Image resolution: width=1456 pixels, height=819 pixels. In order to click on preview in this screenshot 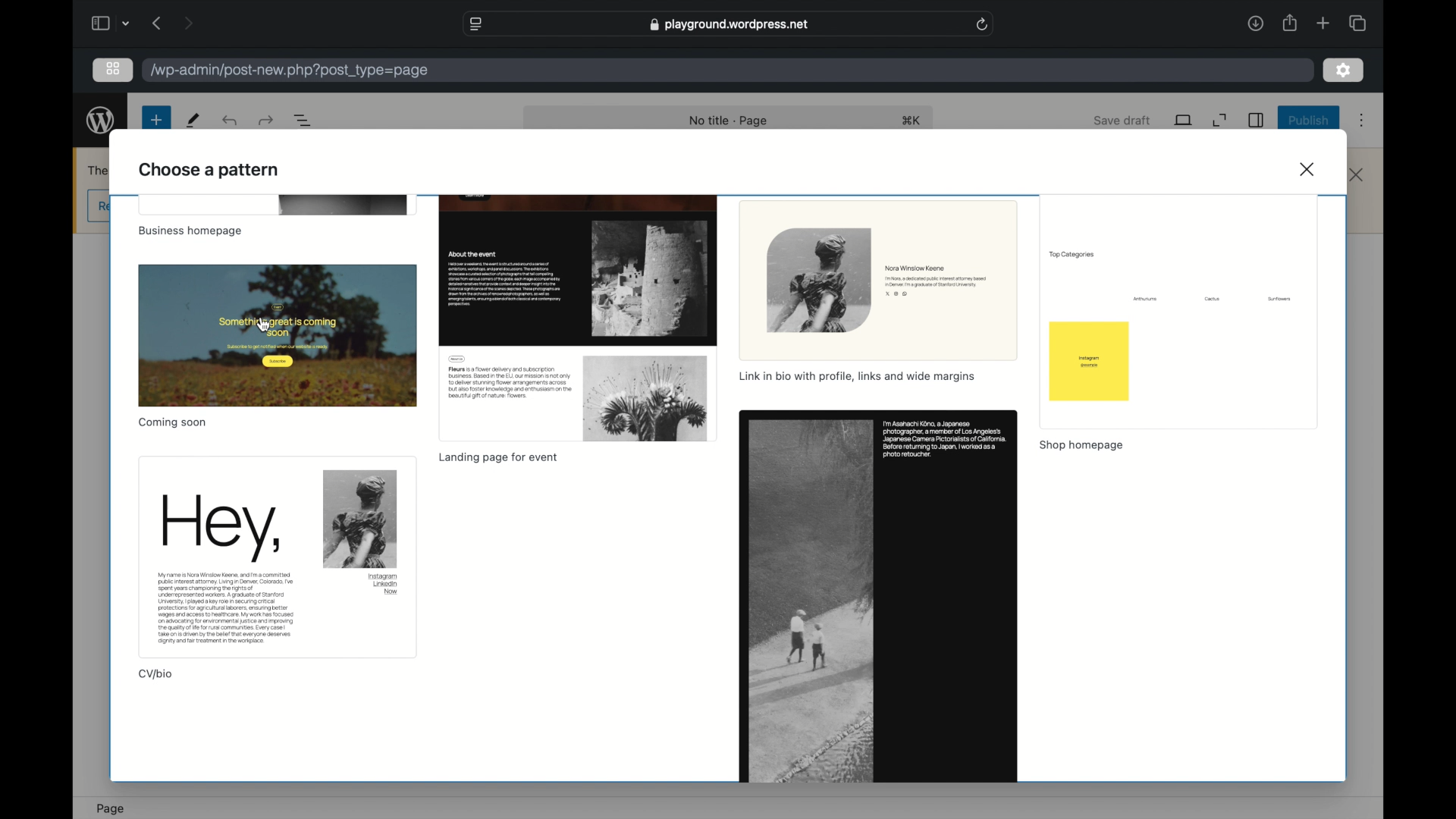, I will do `click(276, 206)`.